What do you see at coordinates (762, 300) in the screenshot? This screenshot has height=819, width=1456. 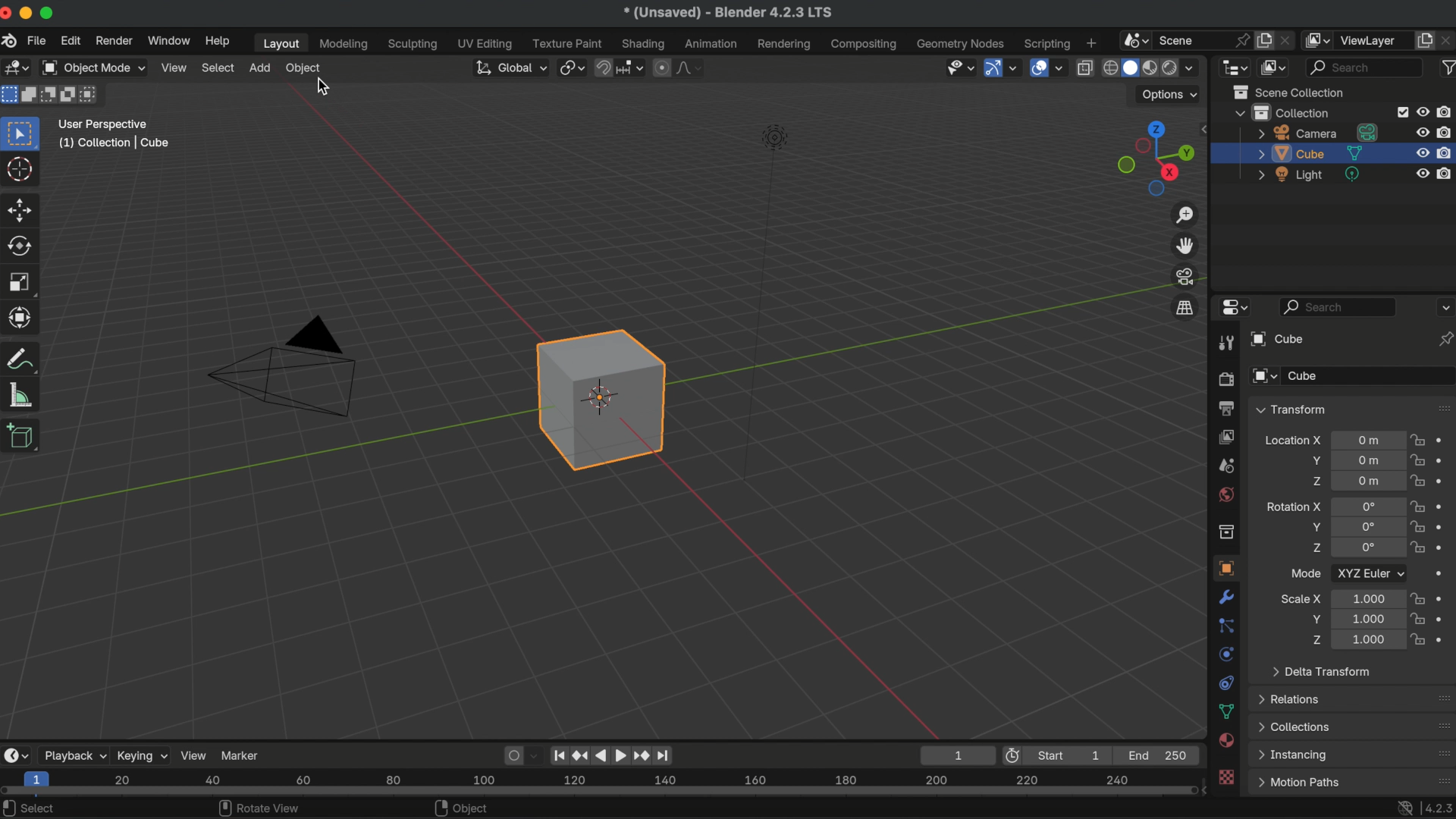 I see `light source` at bounding box center [762, 300].